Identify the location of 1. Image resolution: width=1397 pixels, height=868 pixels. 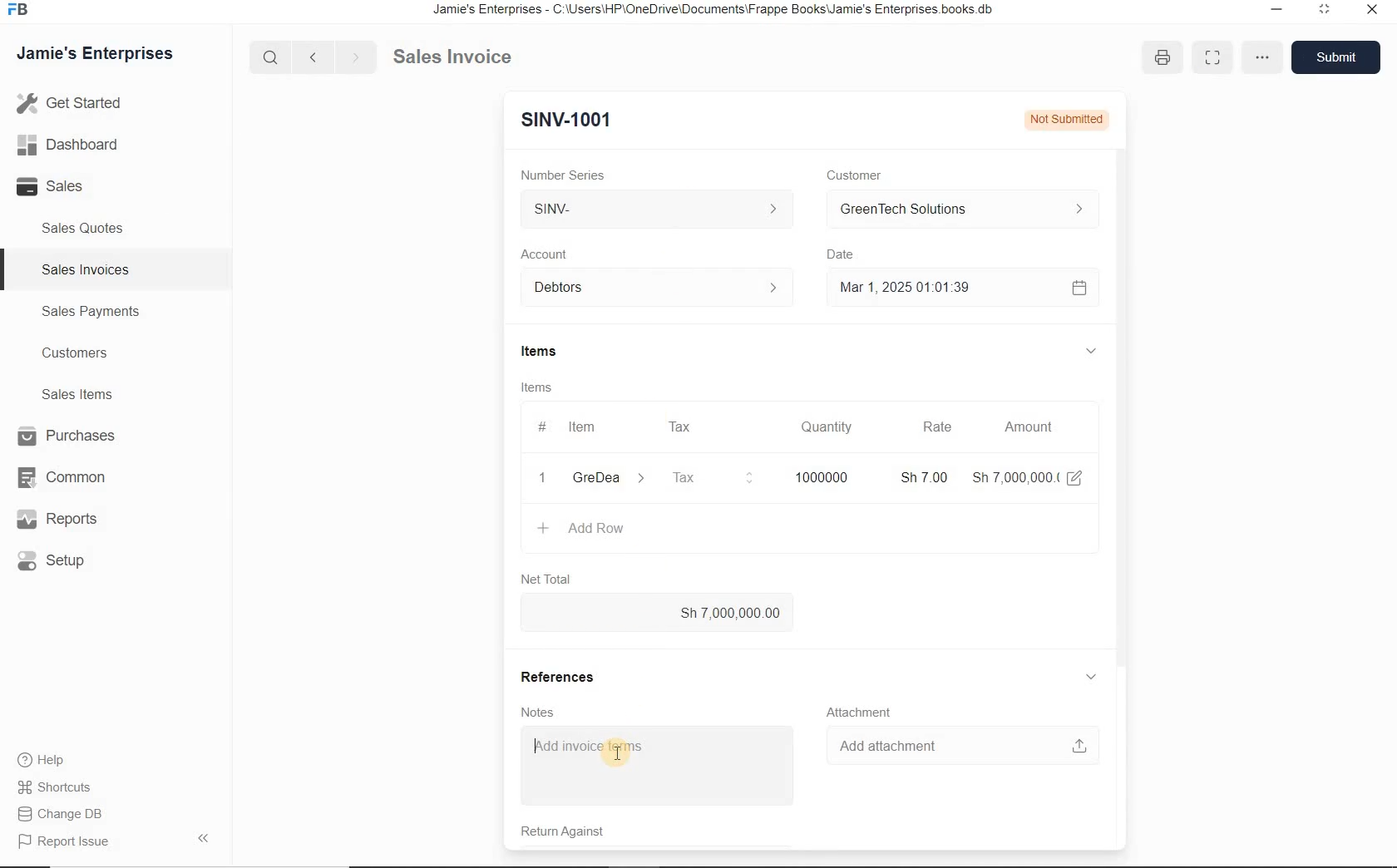
(543, 478).